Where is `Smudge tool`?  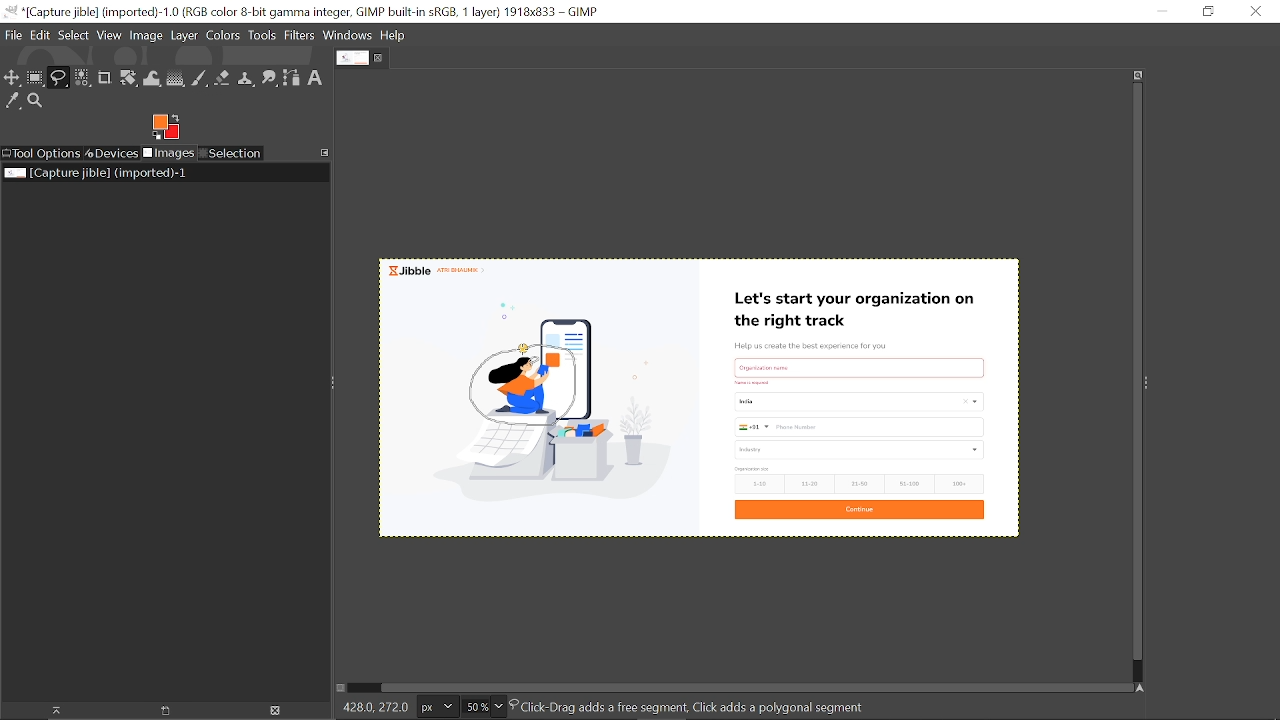 Smudge tool is located at coordinates (270, 79).